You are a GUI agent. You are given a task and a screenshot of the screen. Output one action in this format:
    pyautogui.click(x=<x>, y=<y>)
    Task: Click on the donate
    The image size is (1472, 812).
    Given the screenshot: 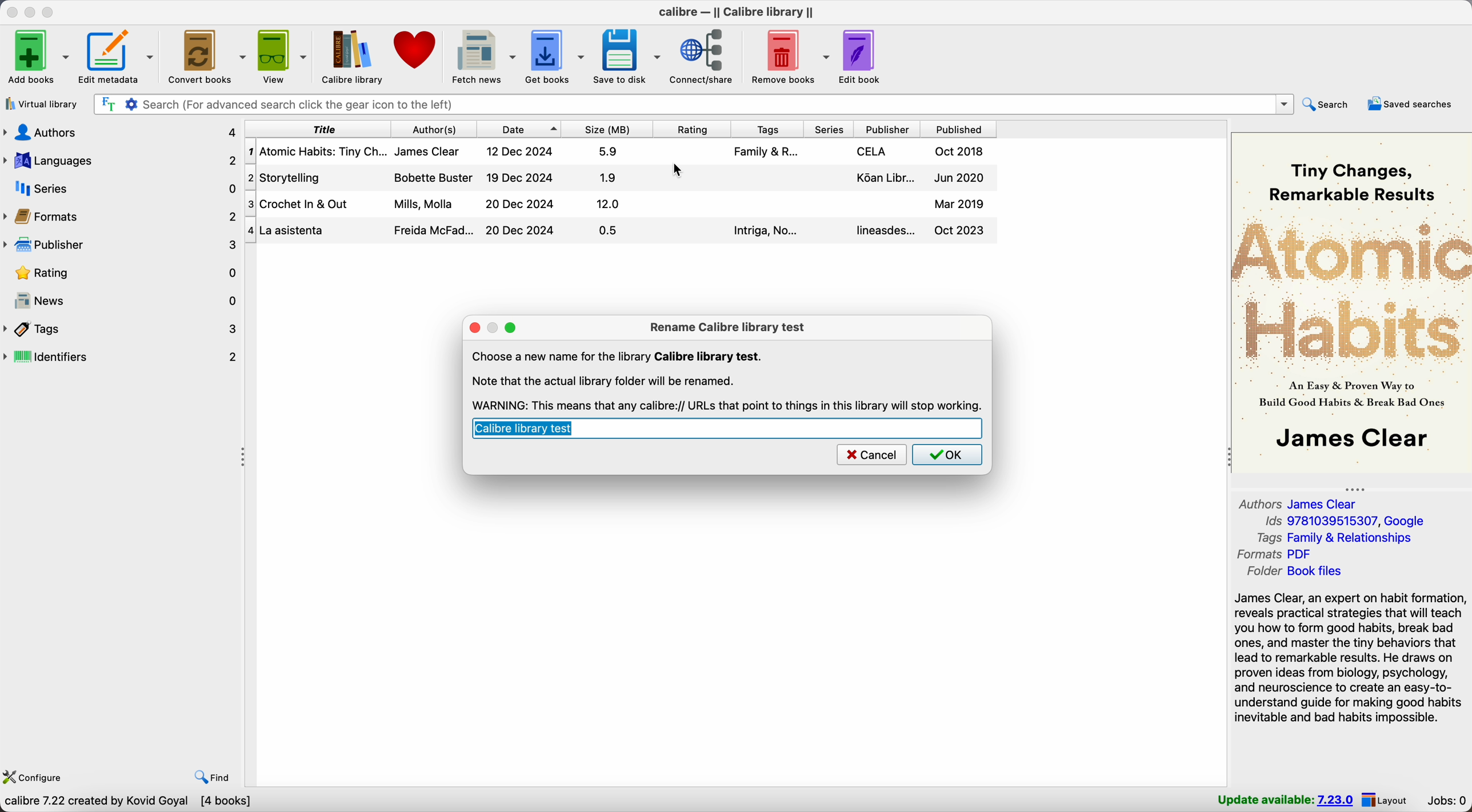 What is the action you would take?
    pyautogui.click(x=418, y=49)
    